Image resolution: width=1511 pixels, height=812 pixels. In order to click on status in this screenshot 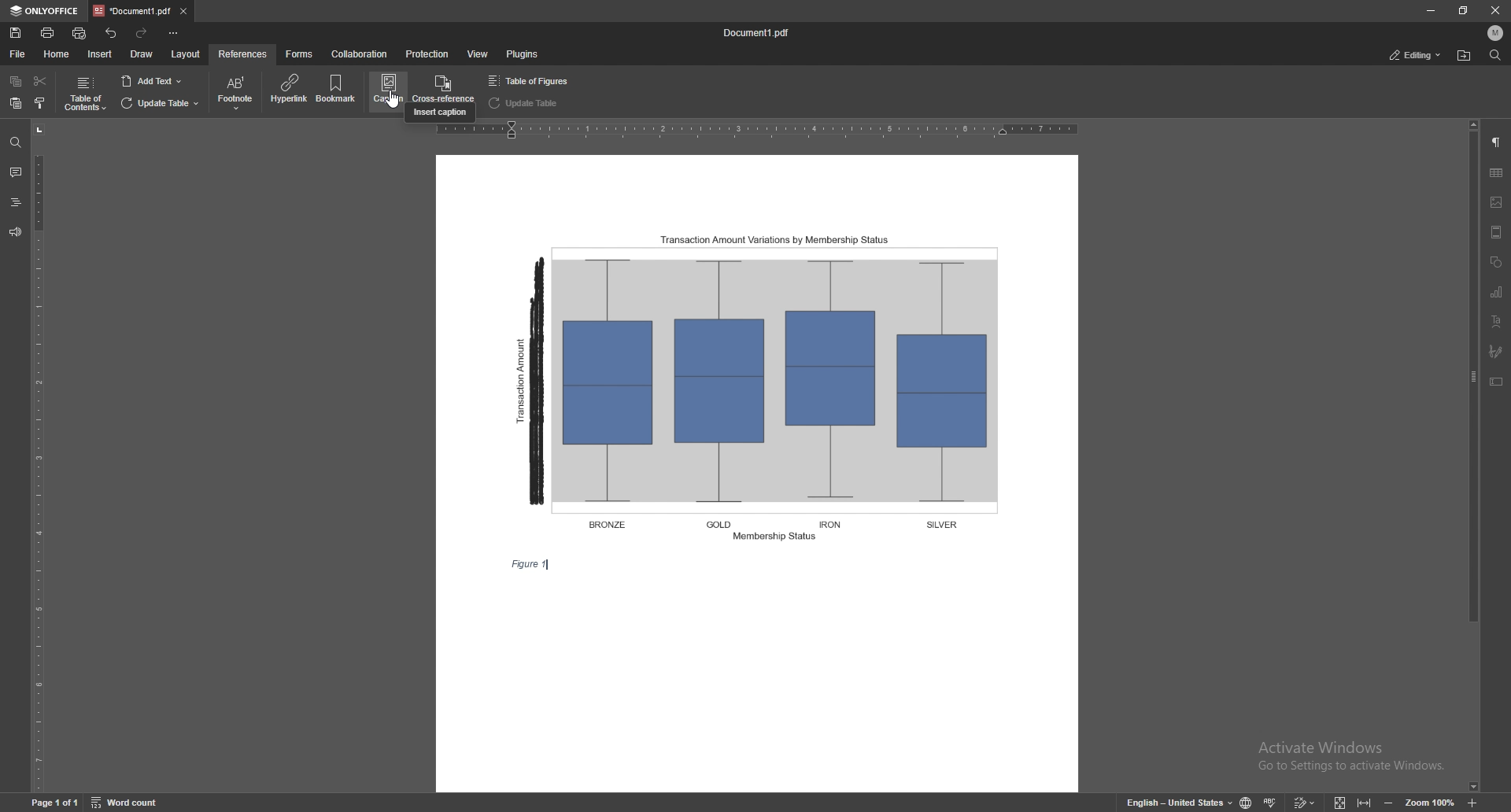, I will do `click(1414, 54)`.